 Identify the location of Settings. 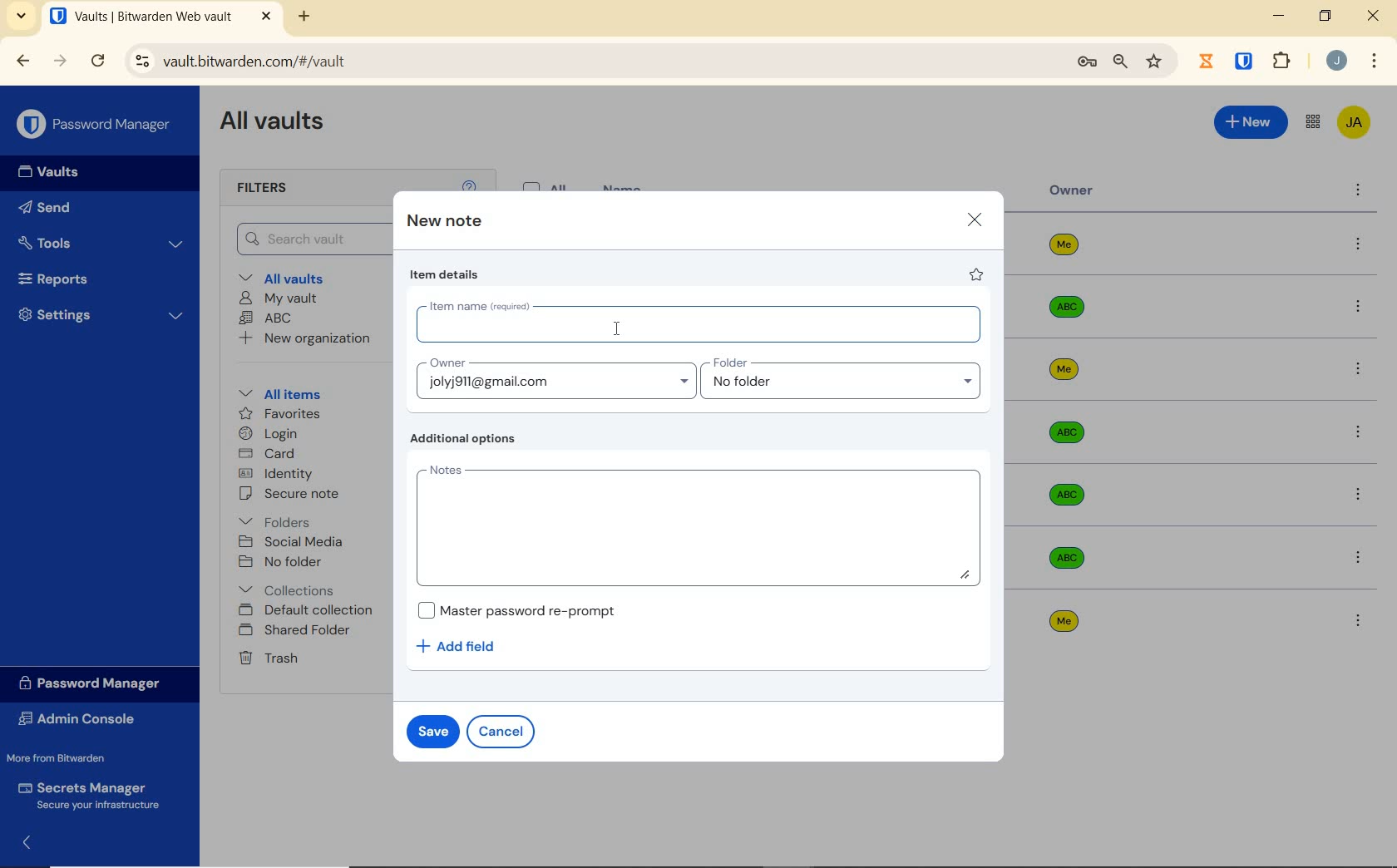
(102, 318).